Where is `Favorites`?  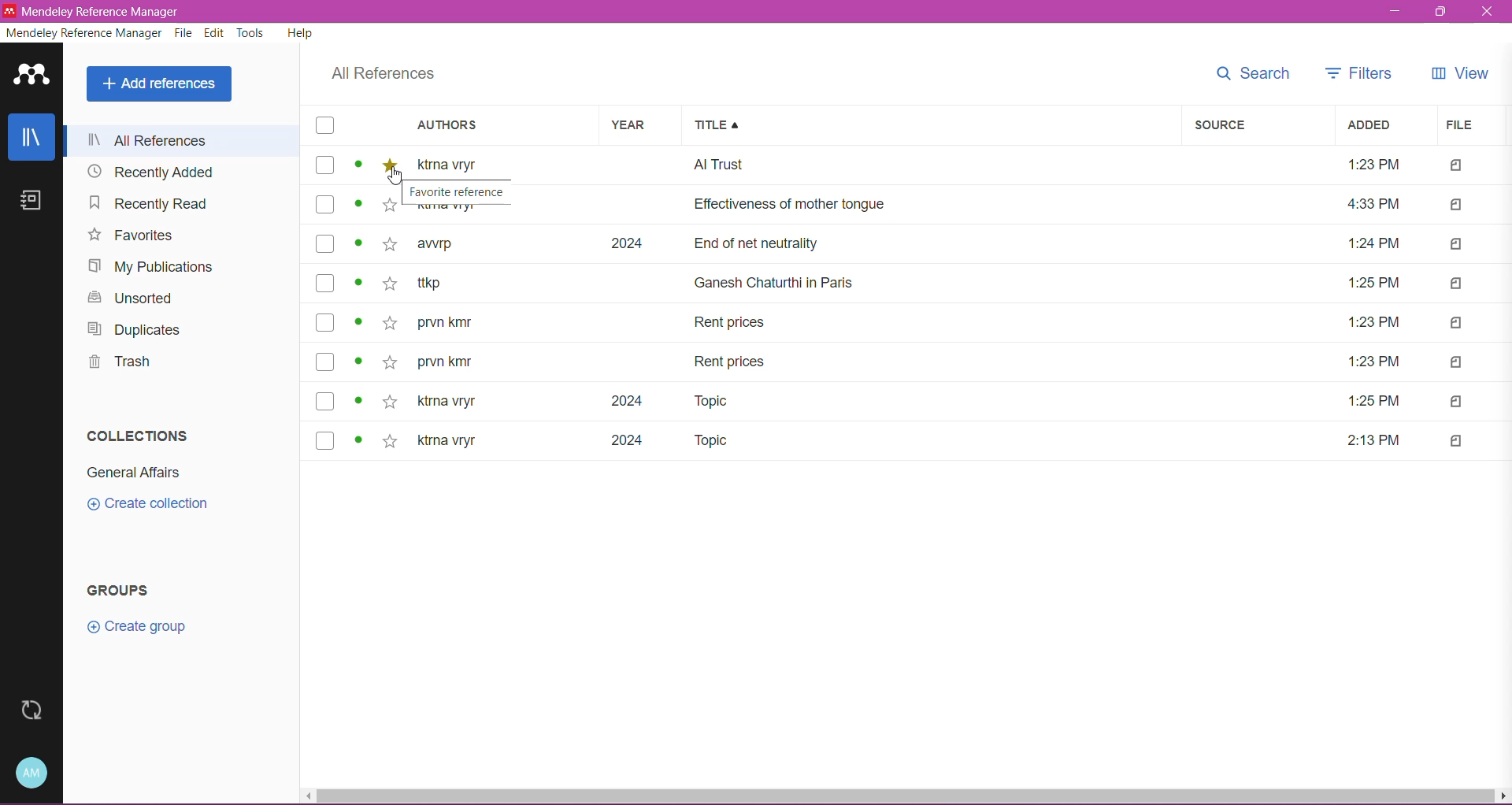
Favorites is located at coordinates (131, 236).